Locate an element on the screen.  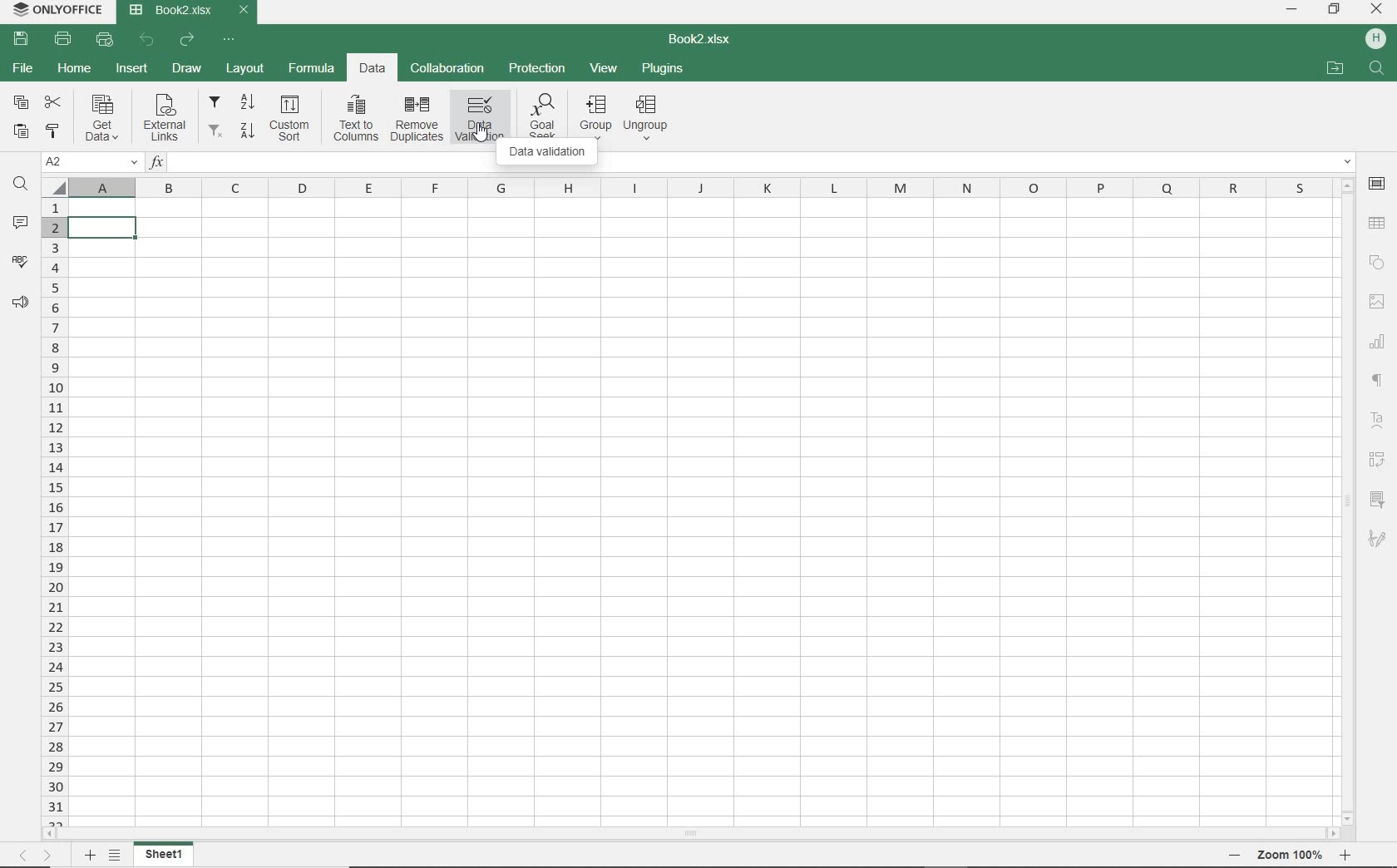
CURSOR is located at coordinates (481, 132).